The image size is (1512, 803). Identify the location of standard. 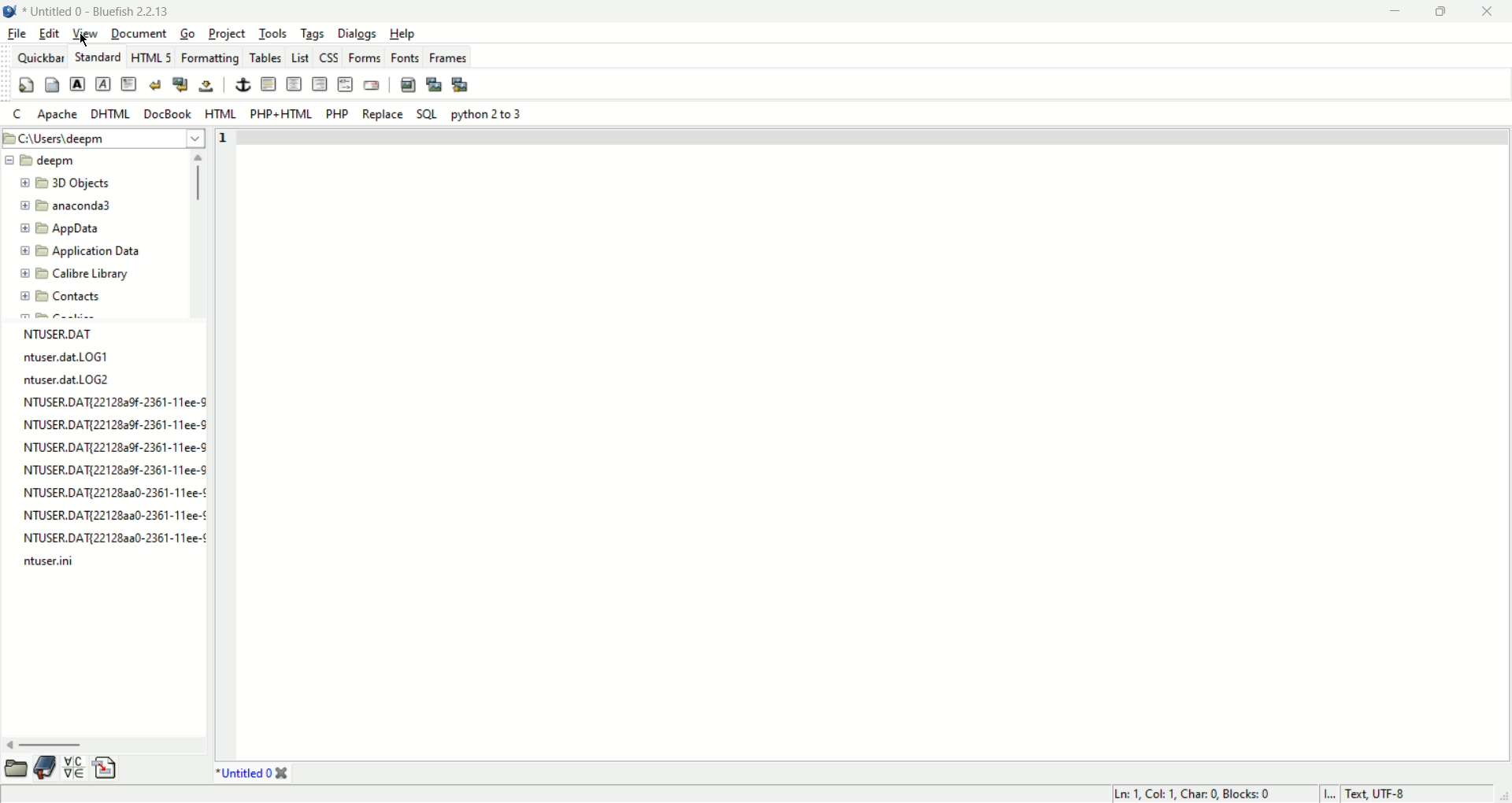
(97, 56).